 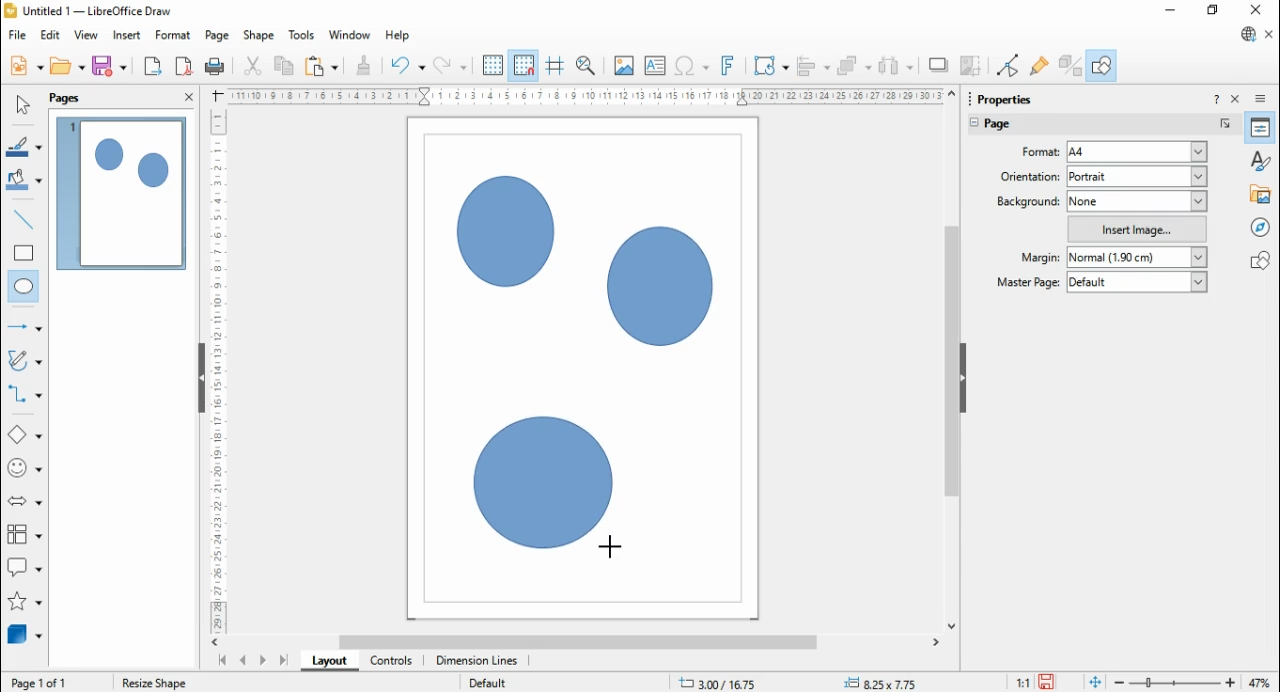 What do you see at coordinates (19, 35) in the screenshot?
I see `file` at bounding box center [19, 35].